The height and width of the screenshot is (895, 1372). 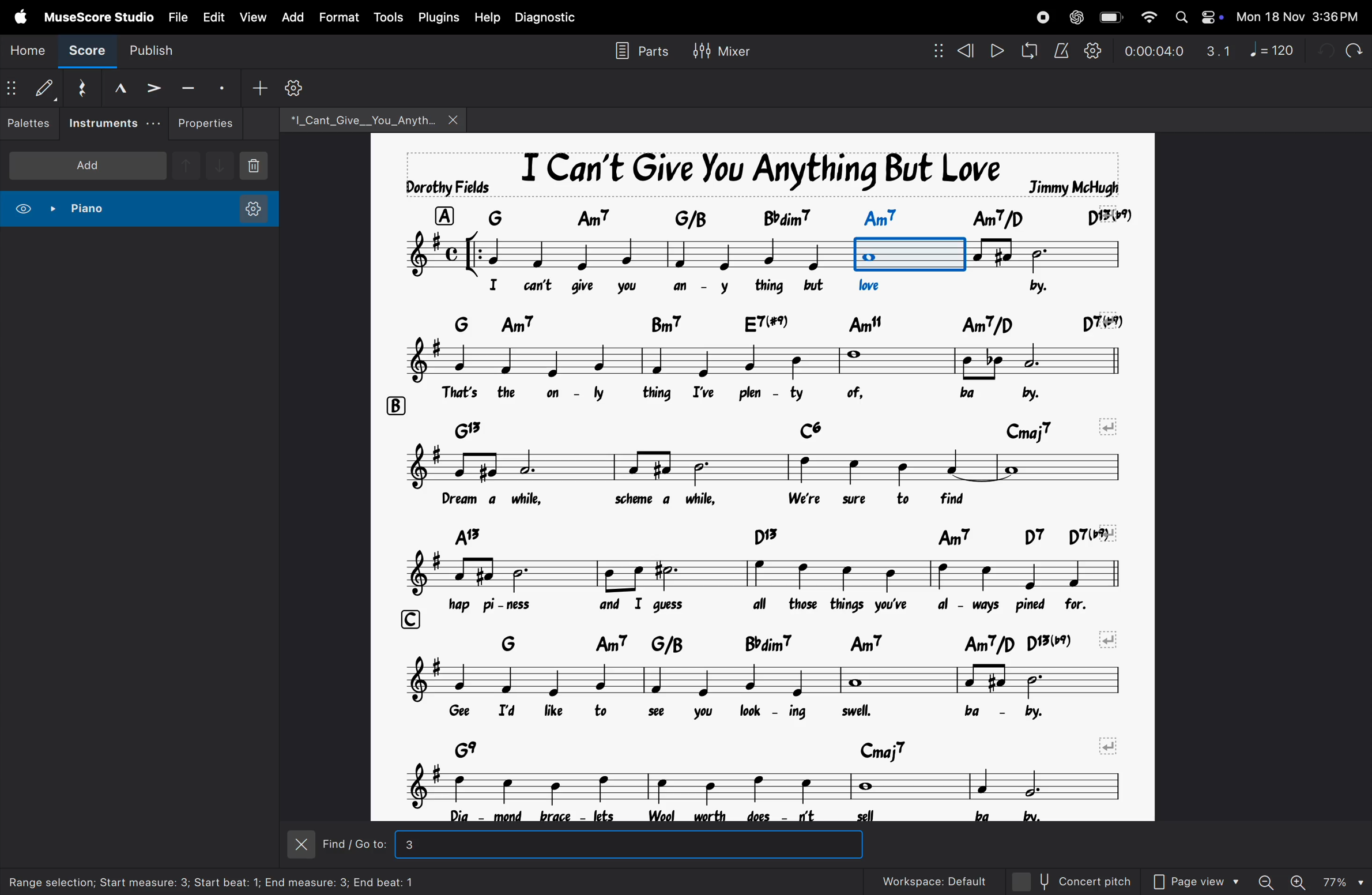 What do you see at coordinates (188, 87) in the screenshot?
I see `tenuto` at bounding box center [188, 87].